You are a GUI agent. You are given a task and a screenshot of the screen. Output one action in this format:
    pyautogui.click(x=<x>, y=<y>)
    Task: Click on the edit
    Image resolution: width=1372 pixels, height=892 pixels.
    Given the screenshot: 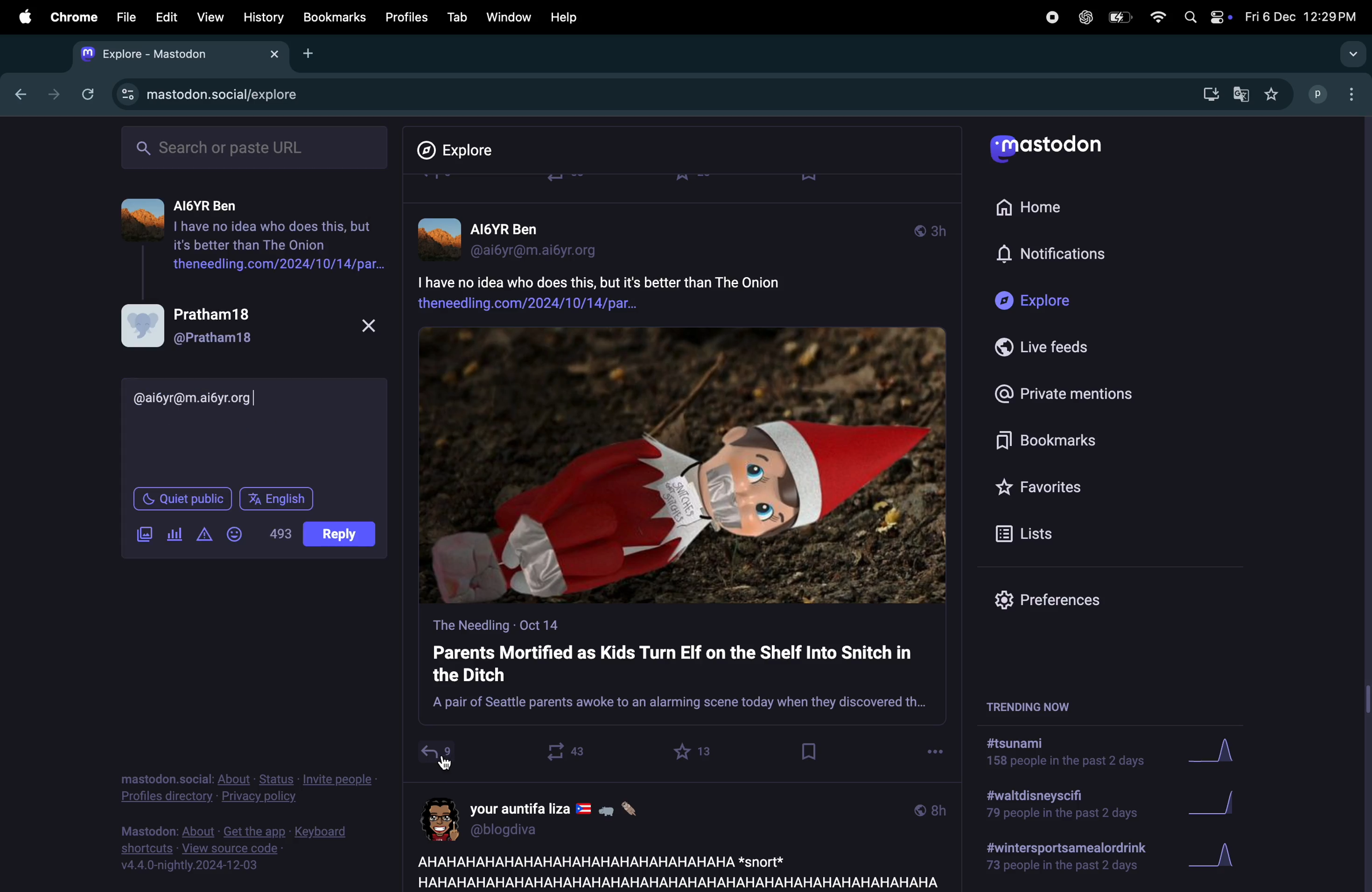 What is the action you would take?
    pyautogui.click(x=166, y=18)
    